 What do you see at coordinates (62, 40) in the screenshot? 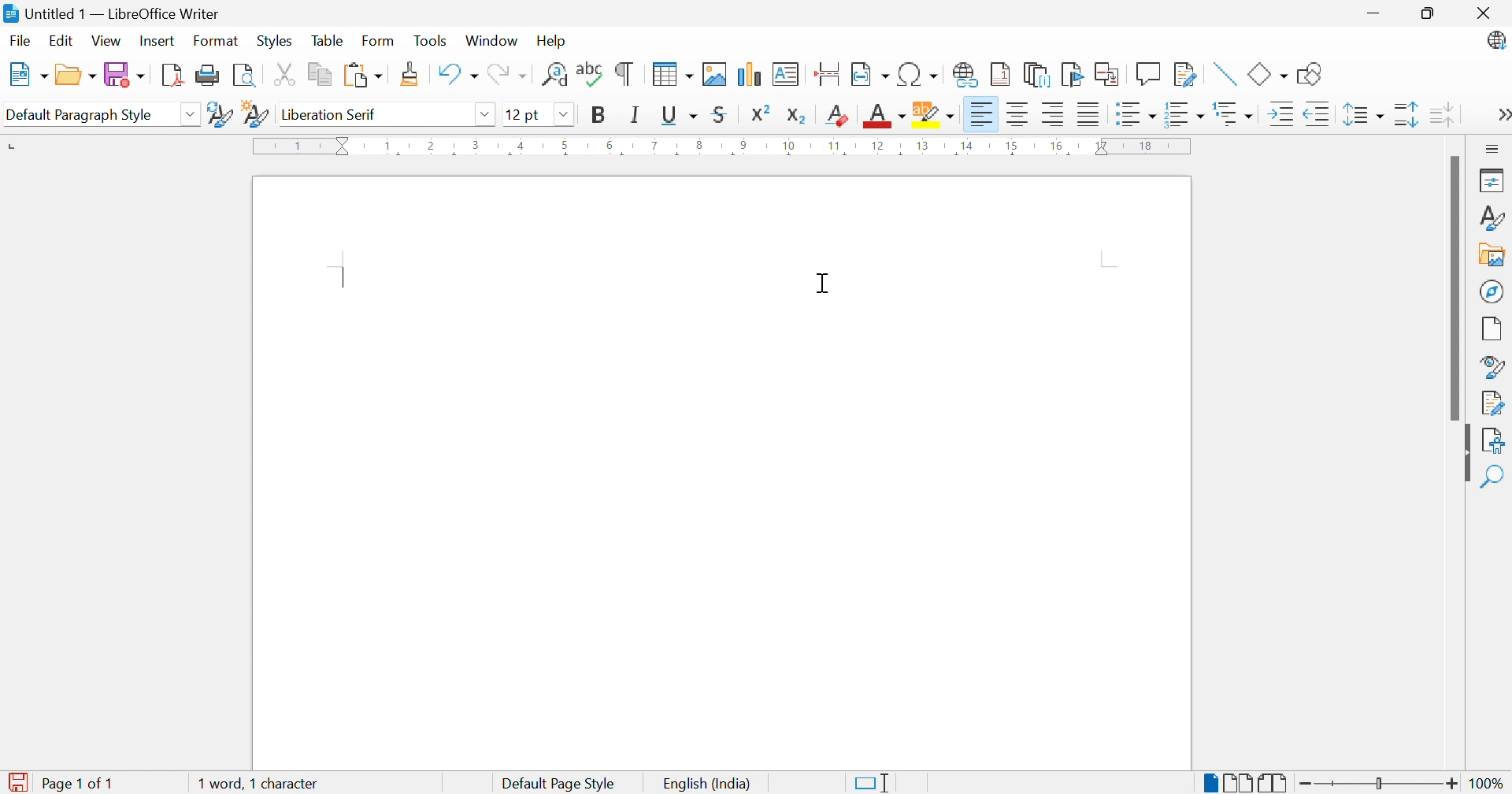
I see `Edit` at bounding box center [62, 40].